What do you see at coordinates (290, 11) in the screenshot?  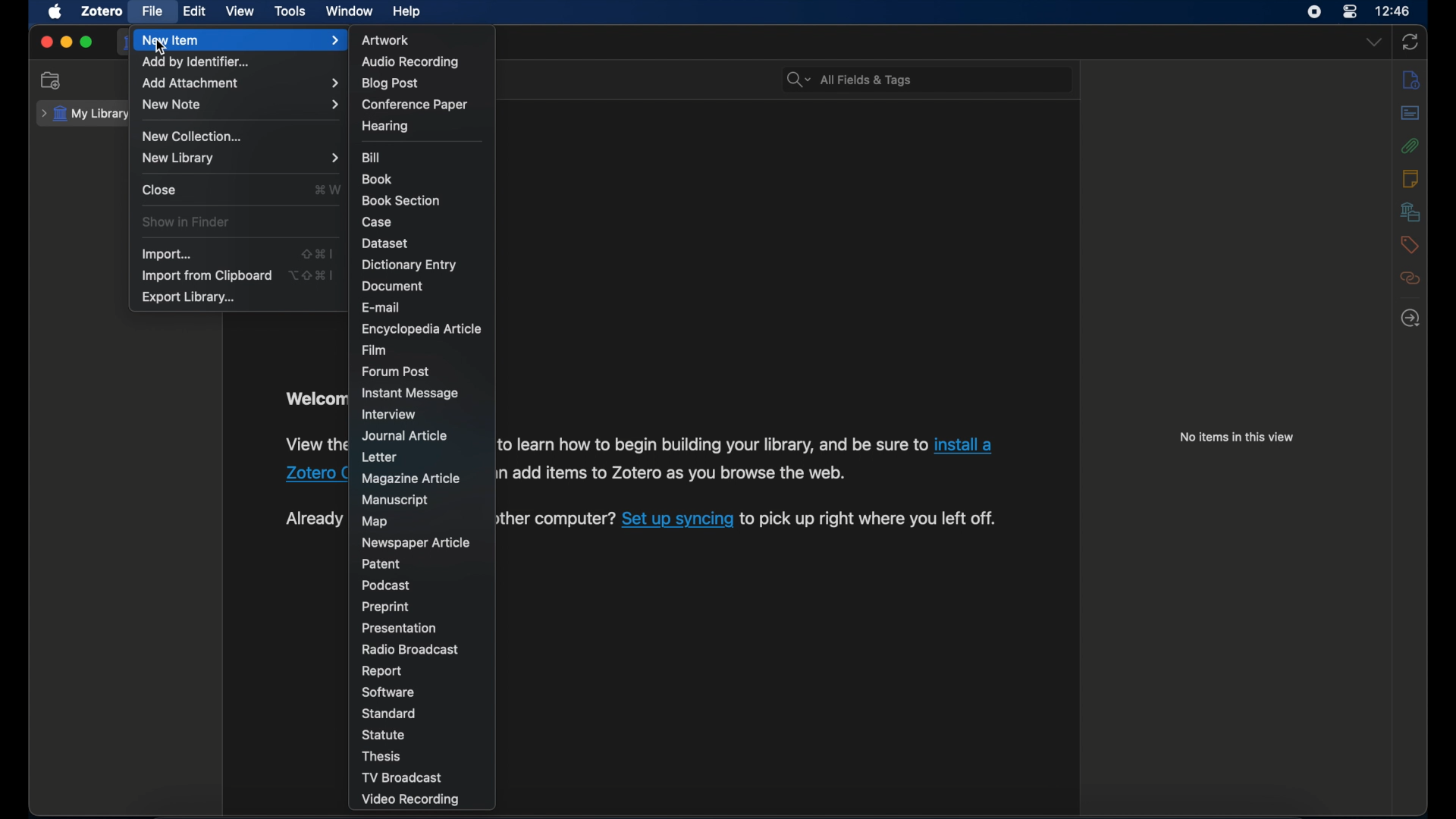 I see `tools` at bounding box center [290, 11].